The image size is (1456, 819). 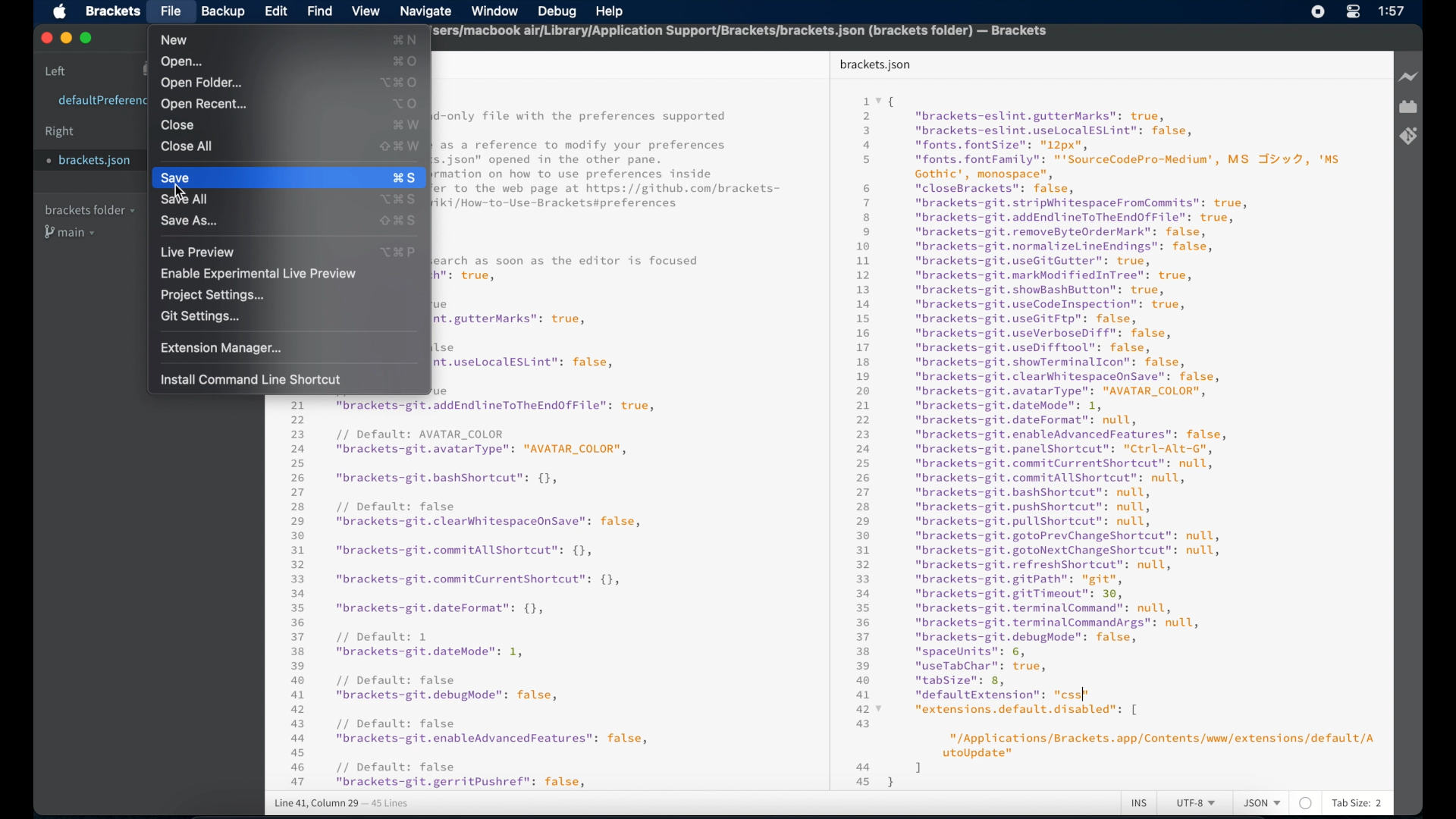 I want to click on save, so click(x=248, y=177).